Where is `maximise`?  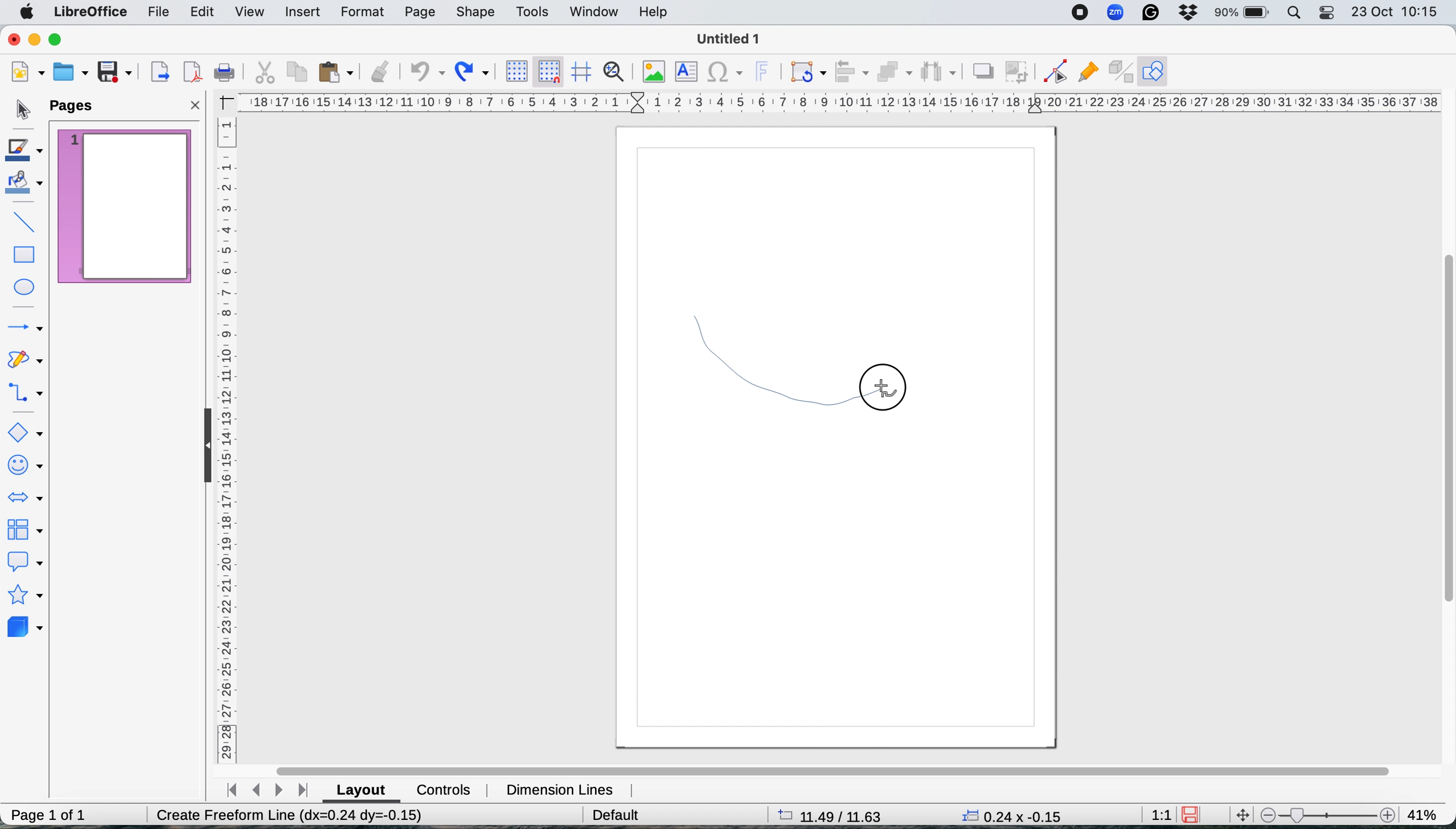 maximise is located at coordinates (56, 39).